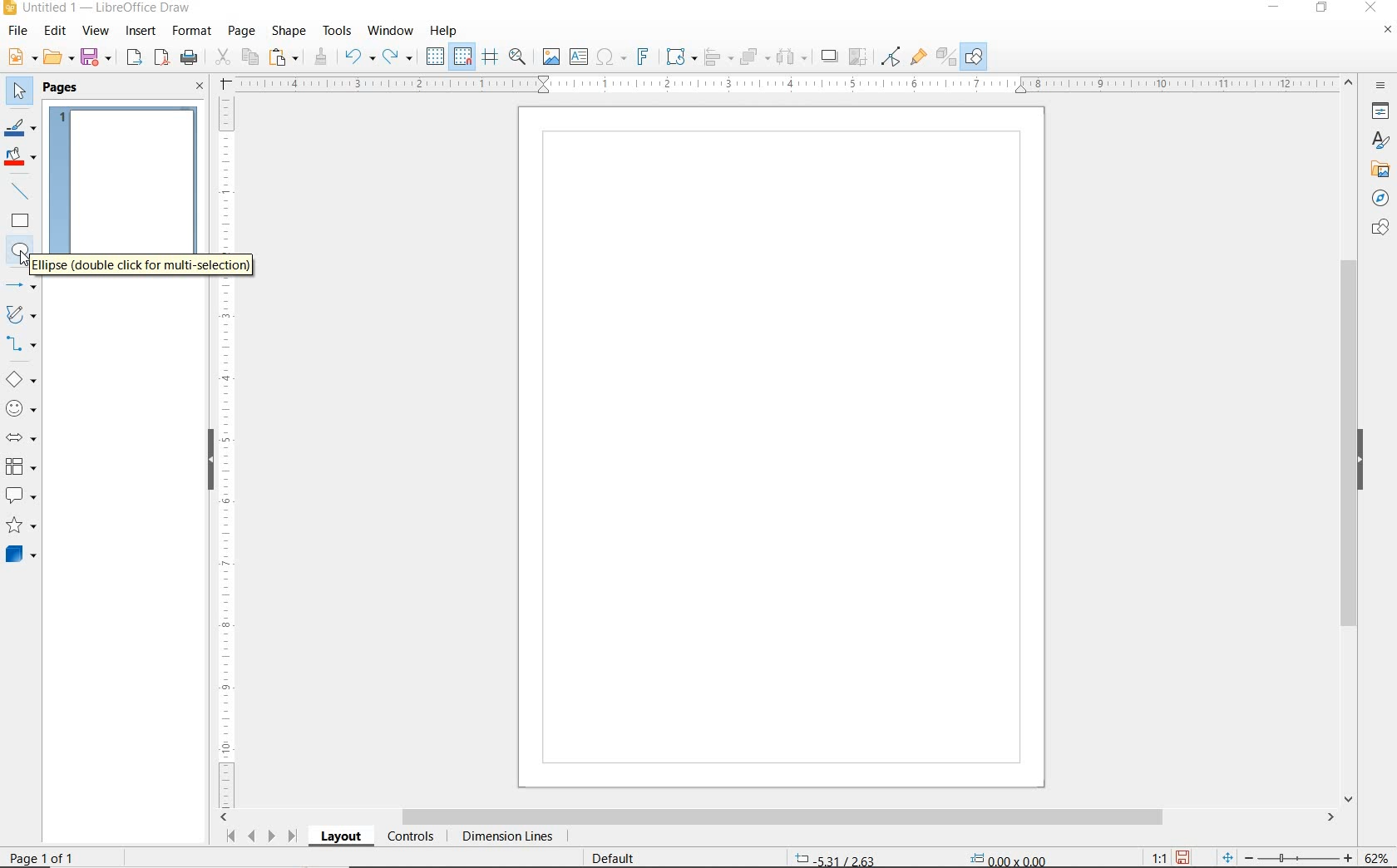  Describe the element at coordinates (717, 59) in the screenshot. I see `ALIGN OBJECTS` at that location.